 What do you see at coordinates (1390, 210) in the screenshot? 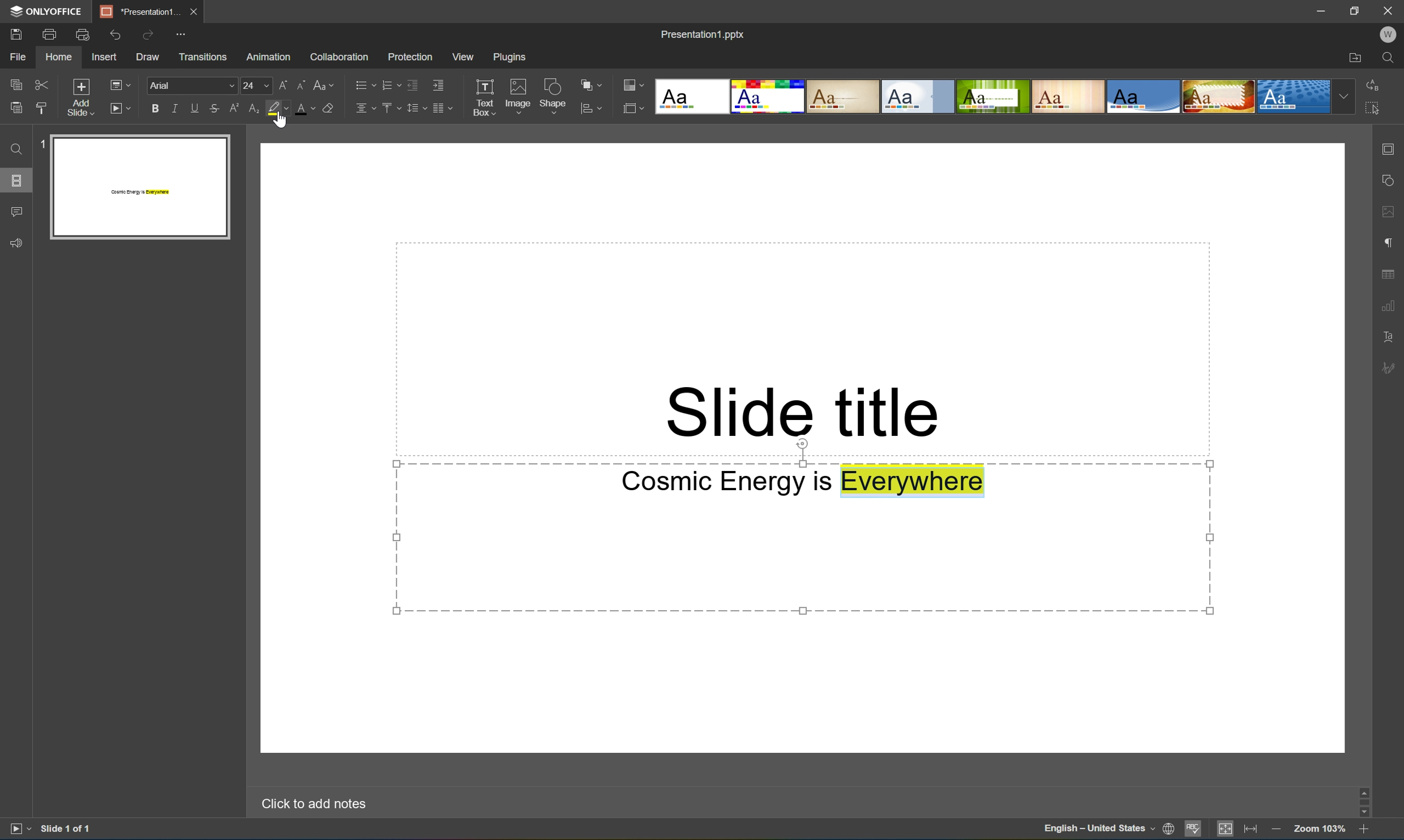
I see `Image settings` at bounding box center [1390, 210].